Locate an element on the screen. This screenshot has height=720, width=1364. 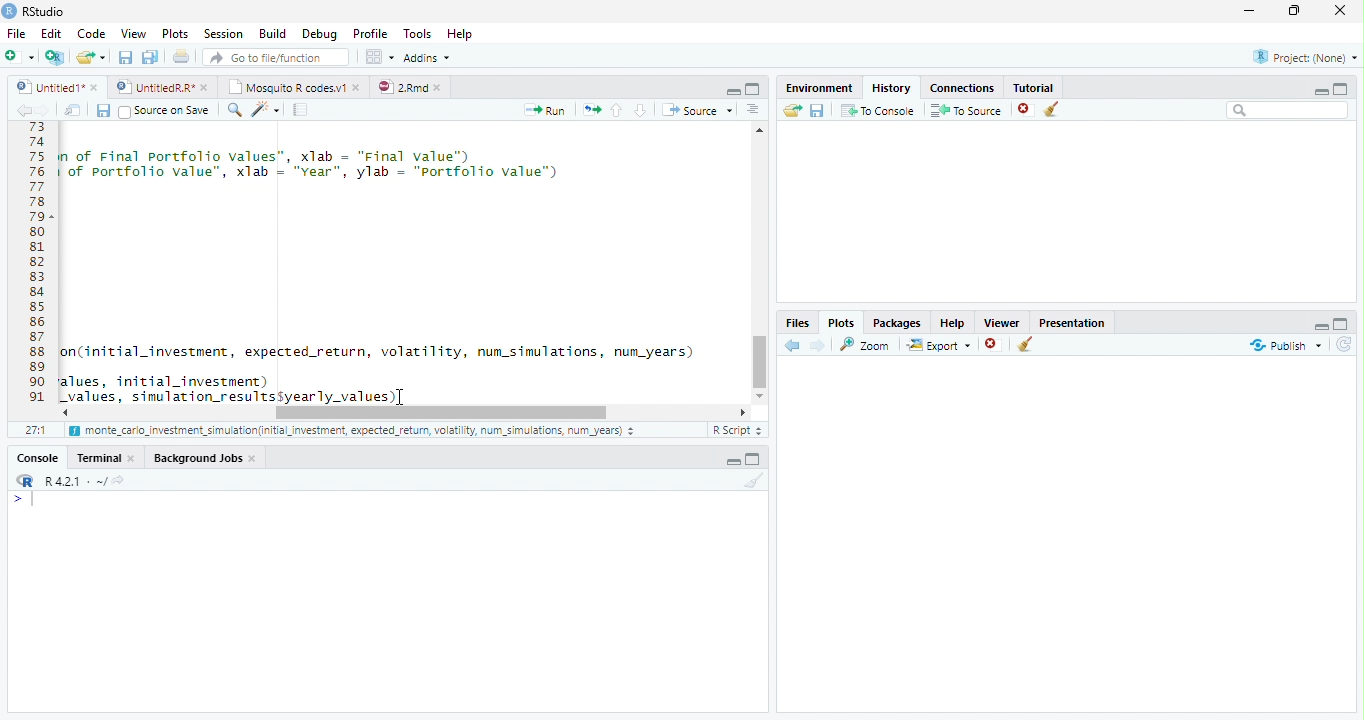
Full Height is located at coordinates (754, 88).